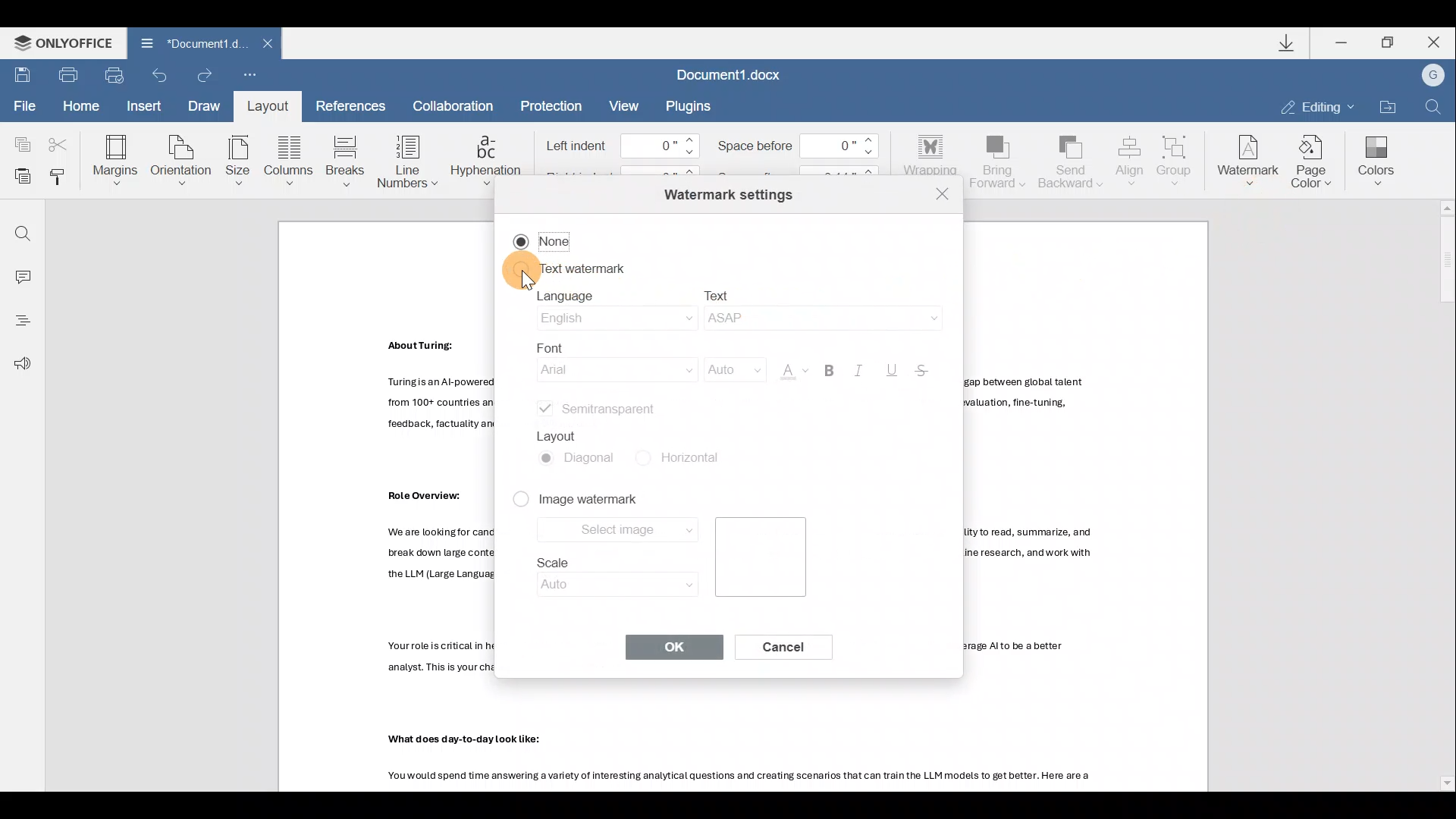  I want to click on , so click(419, 347).